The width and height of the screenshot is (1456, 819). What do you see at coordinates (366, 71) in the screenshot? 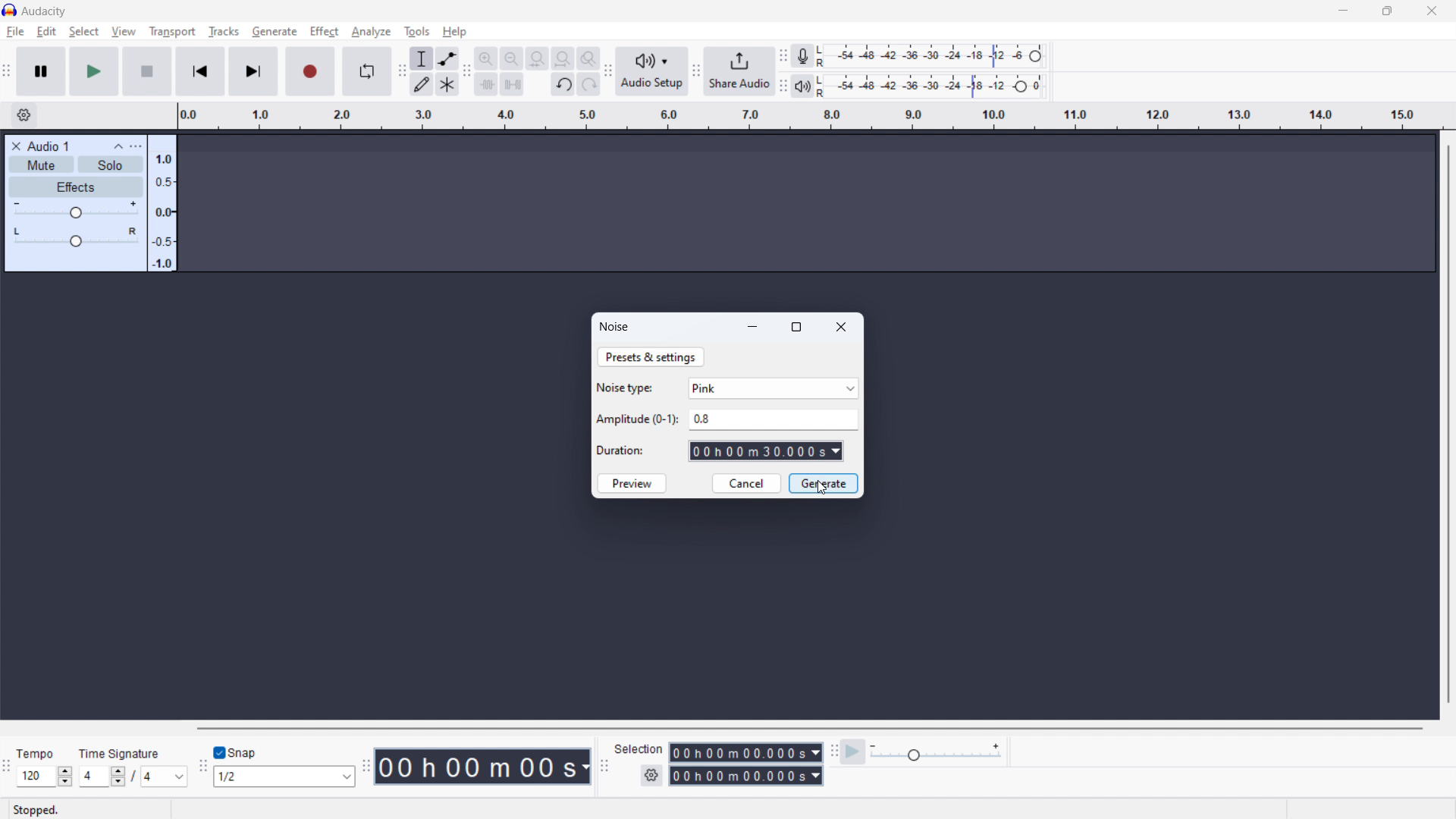
I see `enable loop` at bounding box center [366, 71].